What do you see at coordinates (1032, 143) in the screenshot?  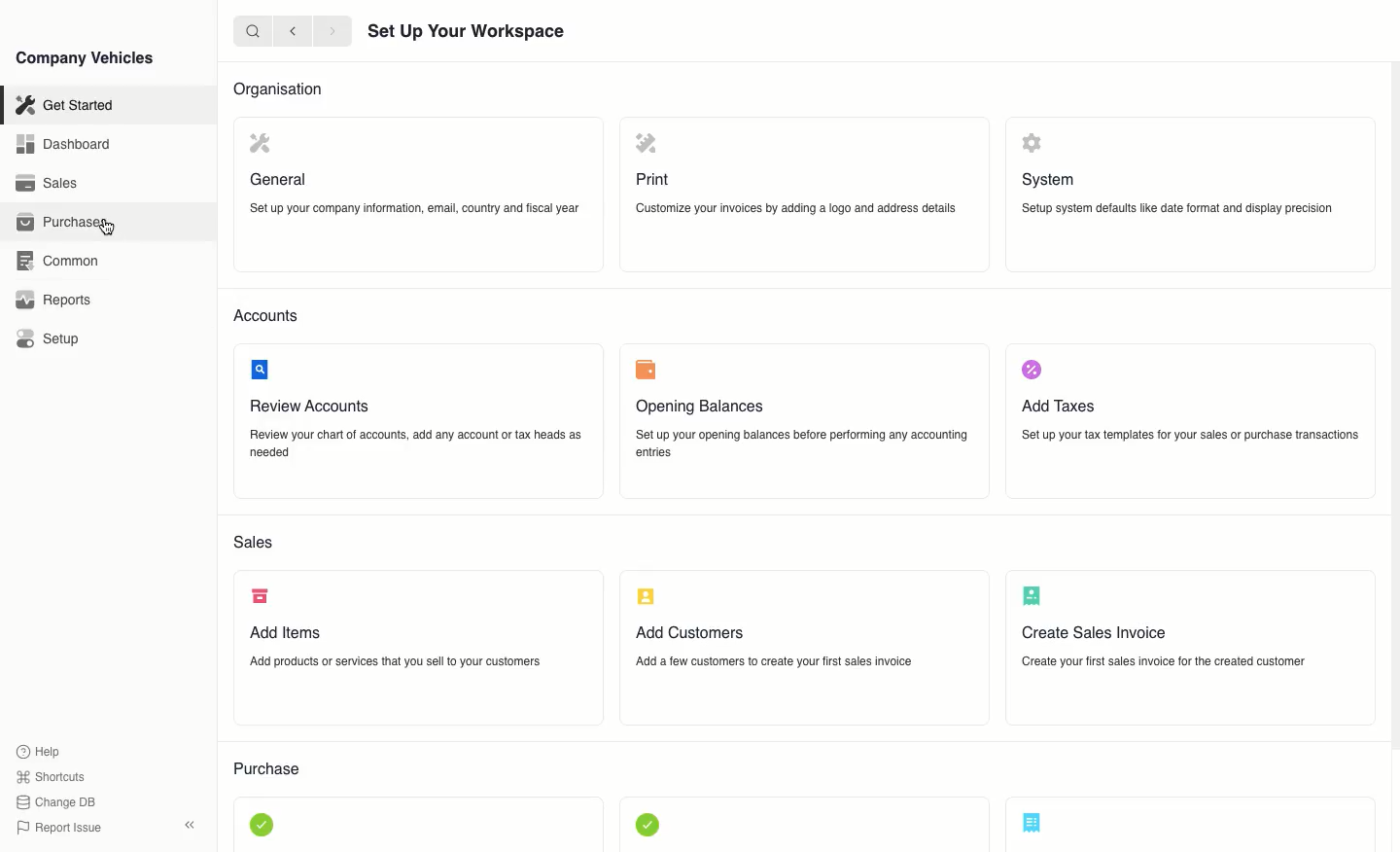 I see `icon` at bounding box center [1032, 143].